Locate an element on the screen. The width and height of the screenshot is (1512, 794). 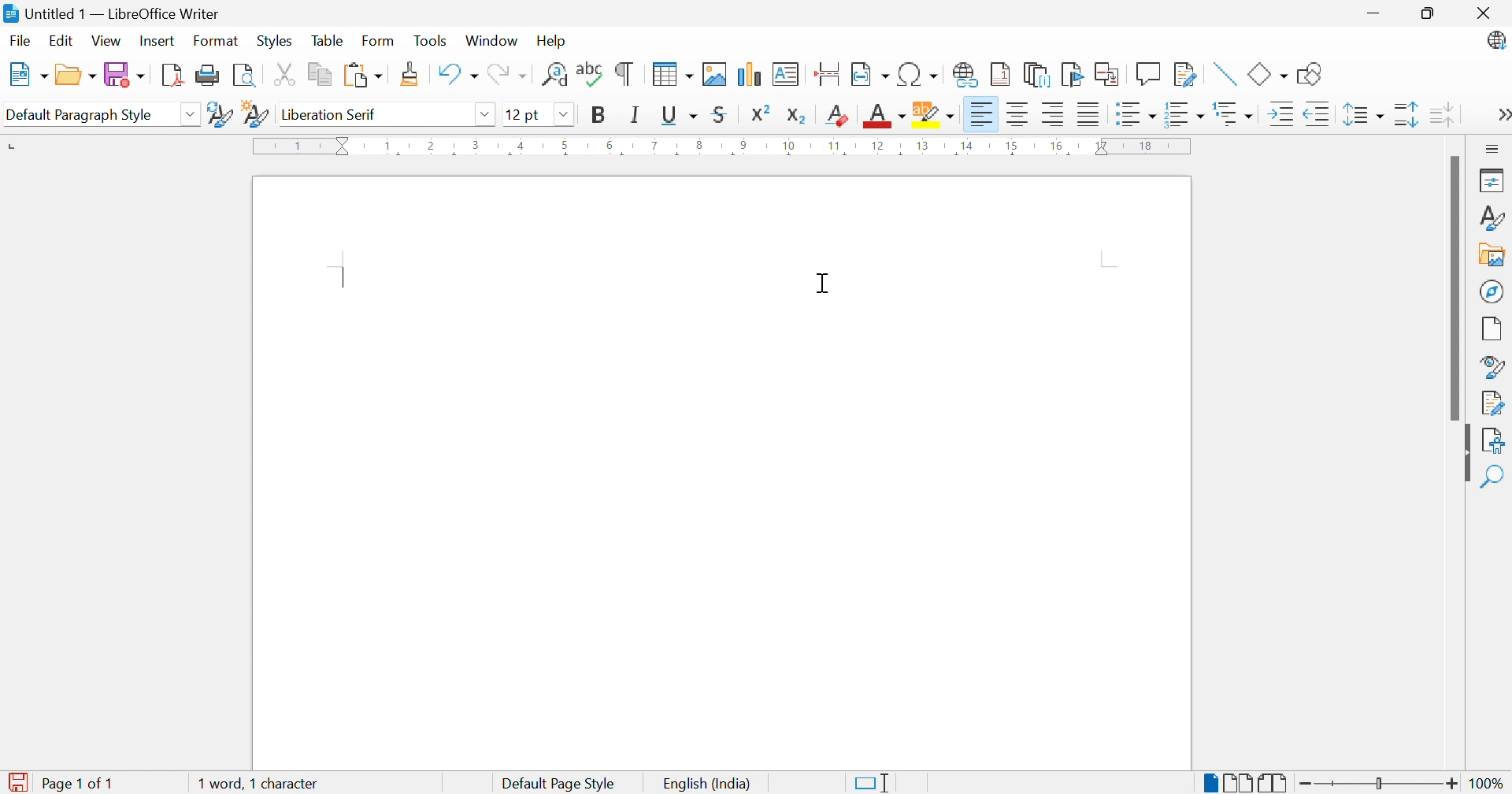
Type Cursor is located at coordinates (823, 285).